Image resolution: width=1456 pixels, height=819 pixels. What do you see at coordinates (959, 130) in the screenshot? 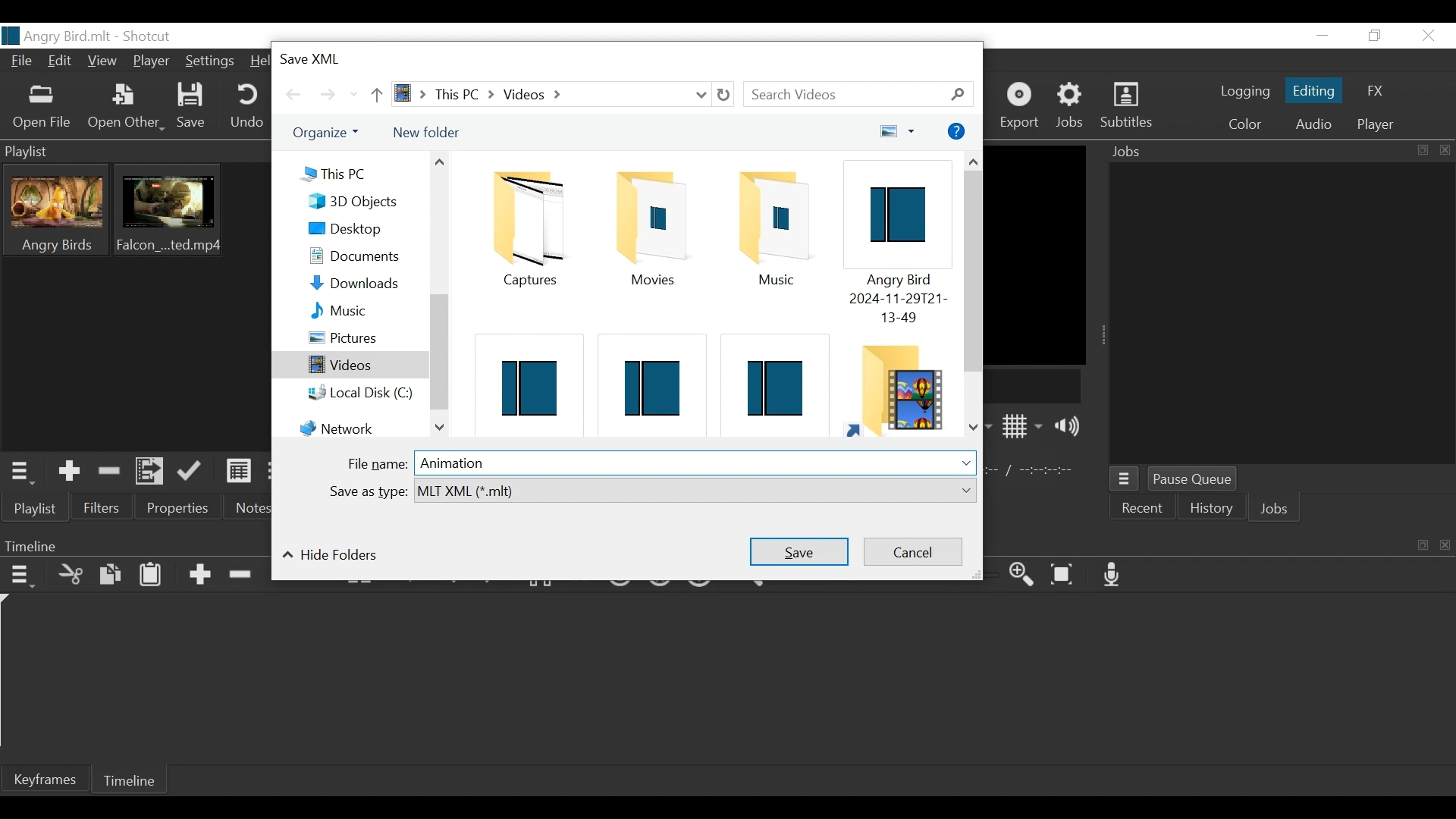
I see `More options` at bounding box center [959, 130].